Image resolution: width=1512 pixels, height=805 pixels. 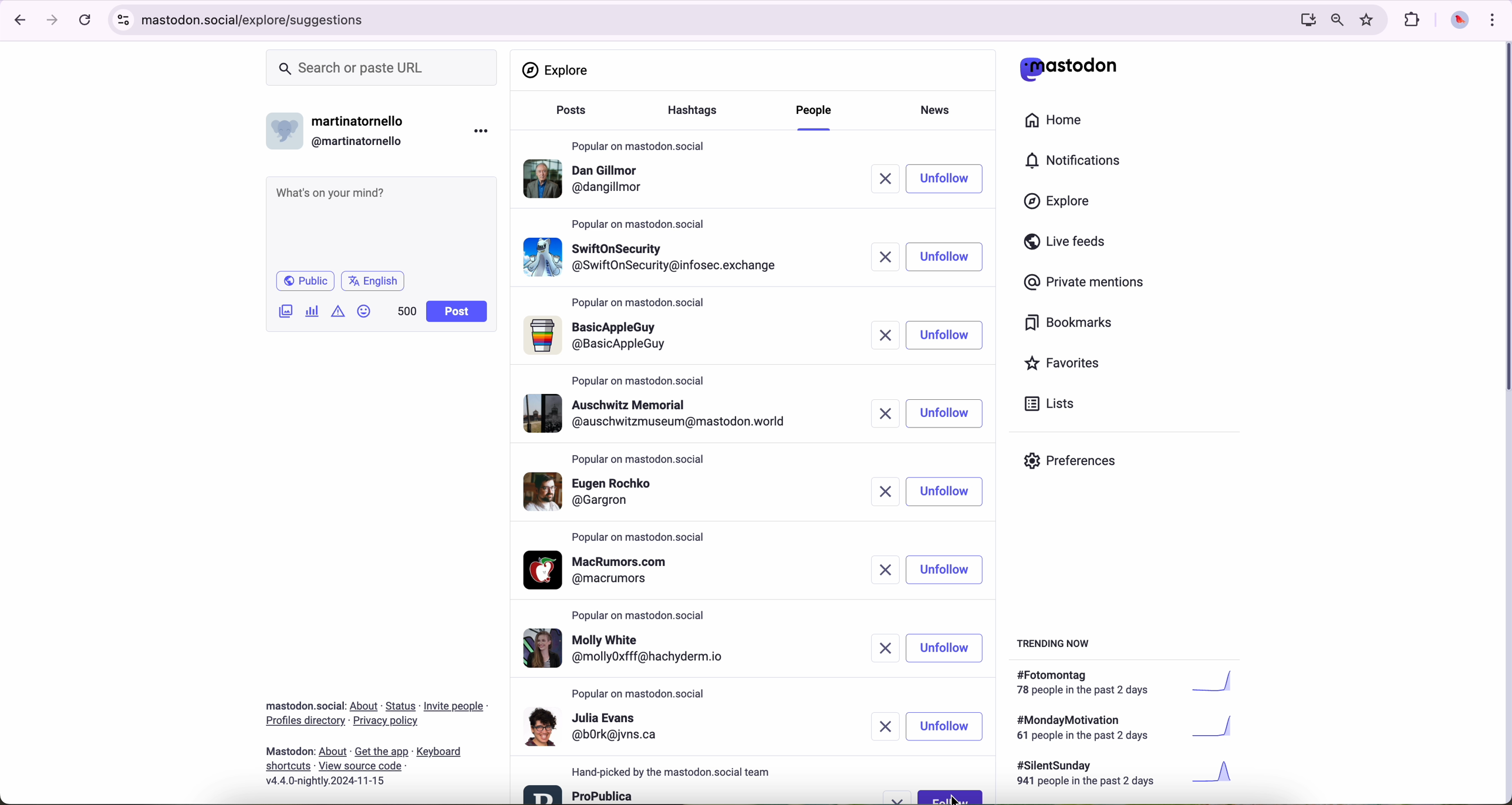 What do you see at coordinates (642, 223) in the screenshot?
I see `popular on mastodon.social` at bounding box center [642, 223].